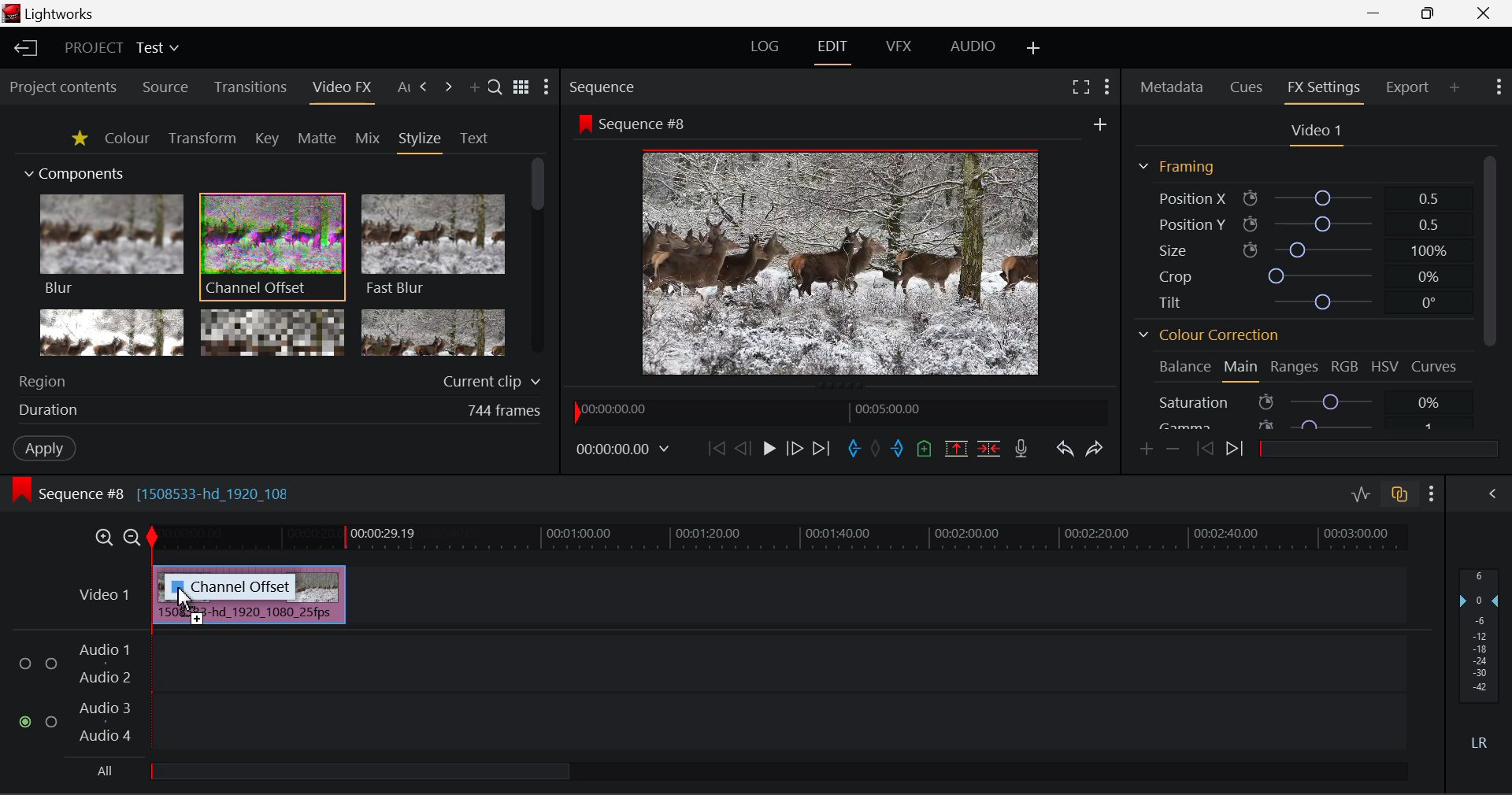 The width and height of the screenshot is (1512, 795). What do you see at coordinates (202, 139) in the screenshot?
I see `Transform` at bounding box center [202, 139].